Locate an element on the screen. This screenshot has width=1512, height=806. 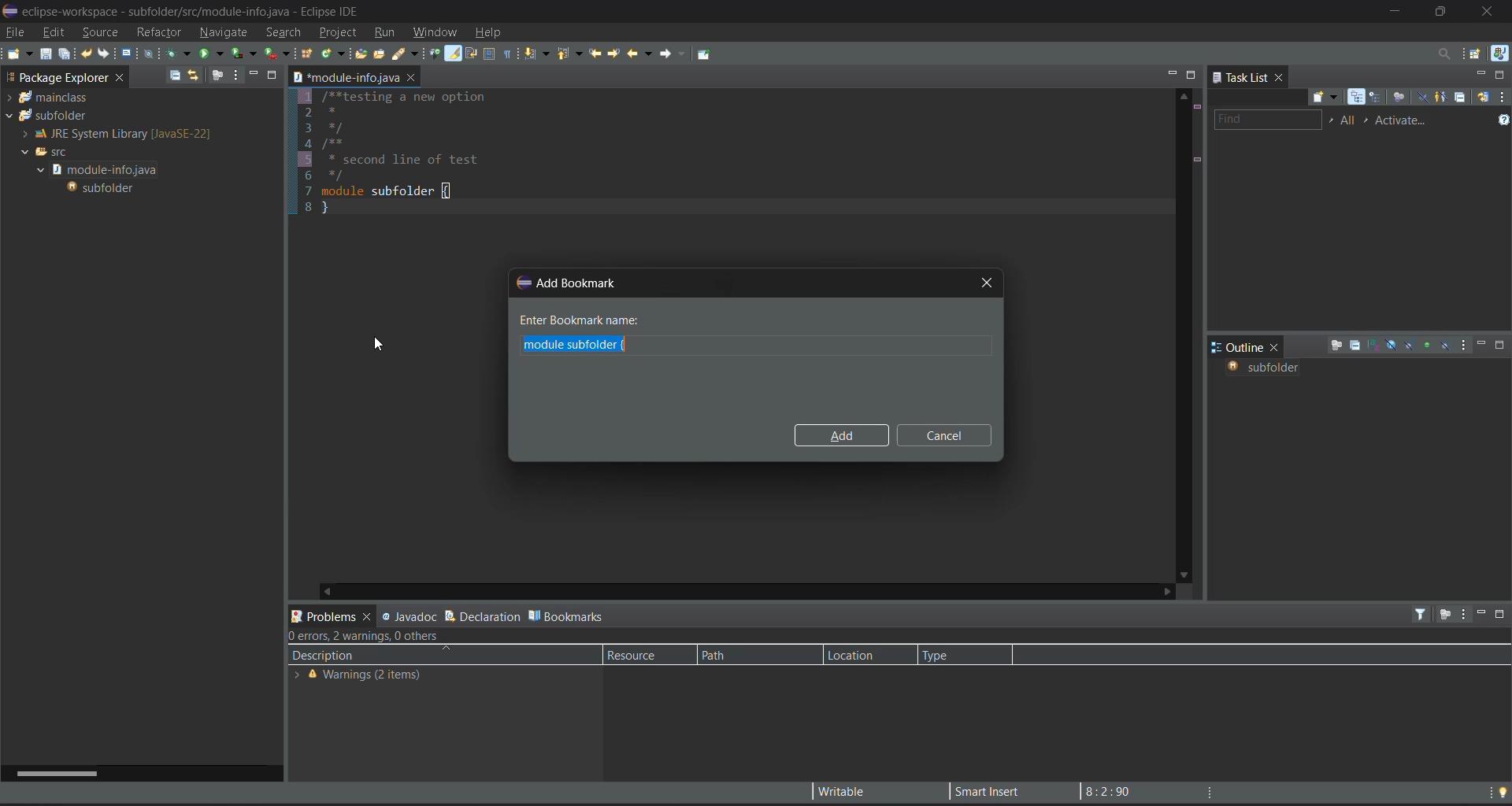
run is located at coordinates (388, 33).